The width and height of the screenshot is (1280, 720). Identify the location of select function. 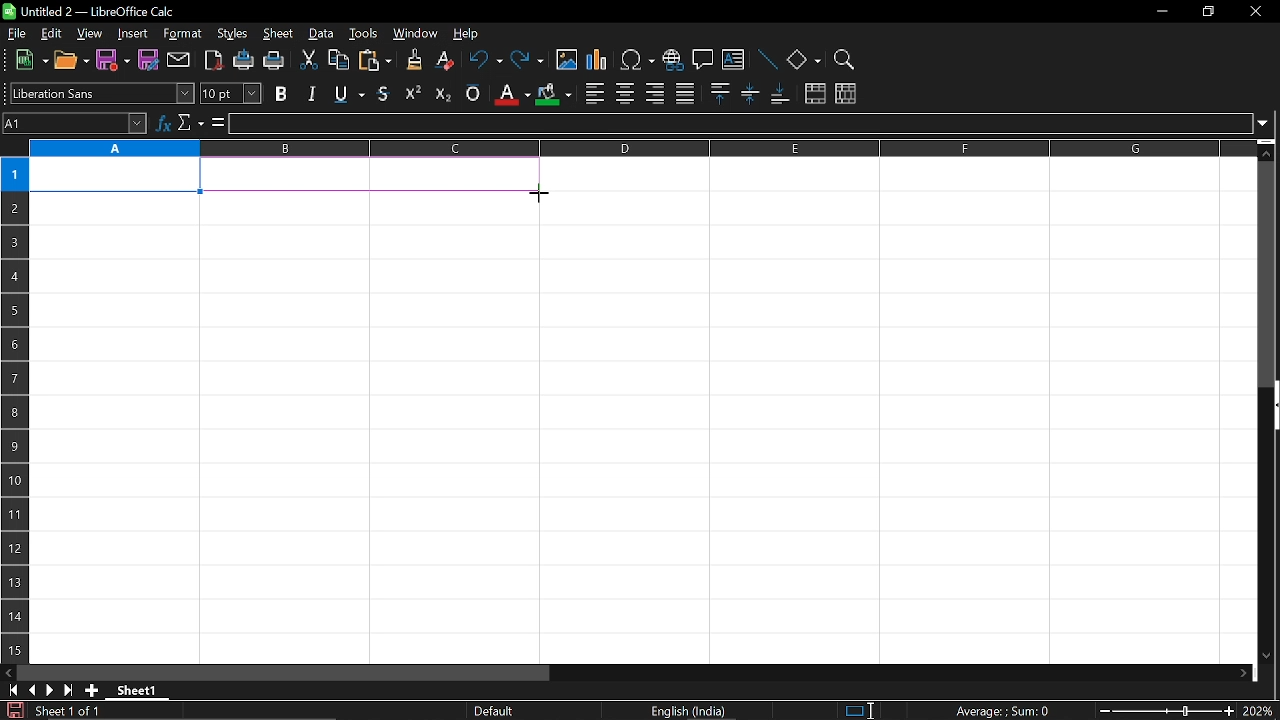
(190, 124).